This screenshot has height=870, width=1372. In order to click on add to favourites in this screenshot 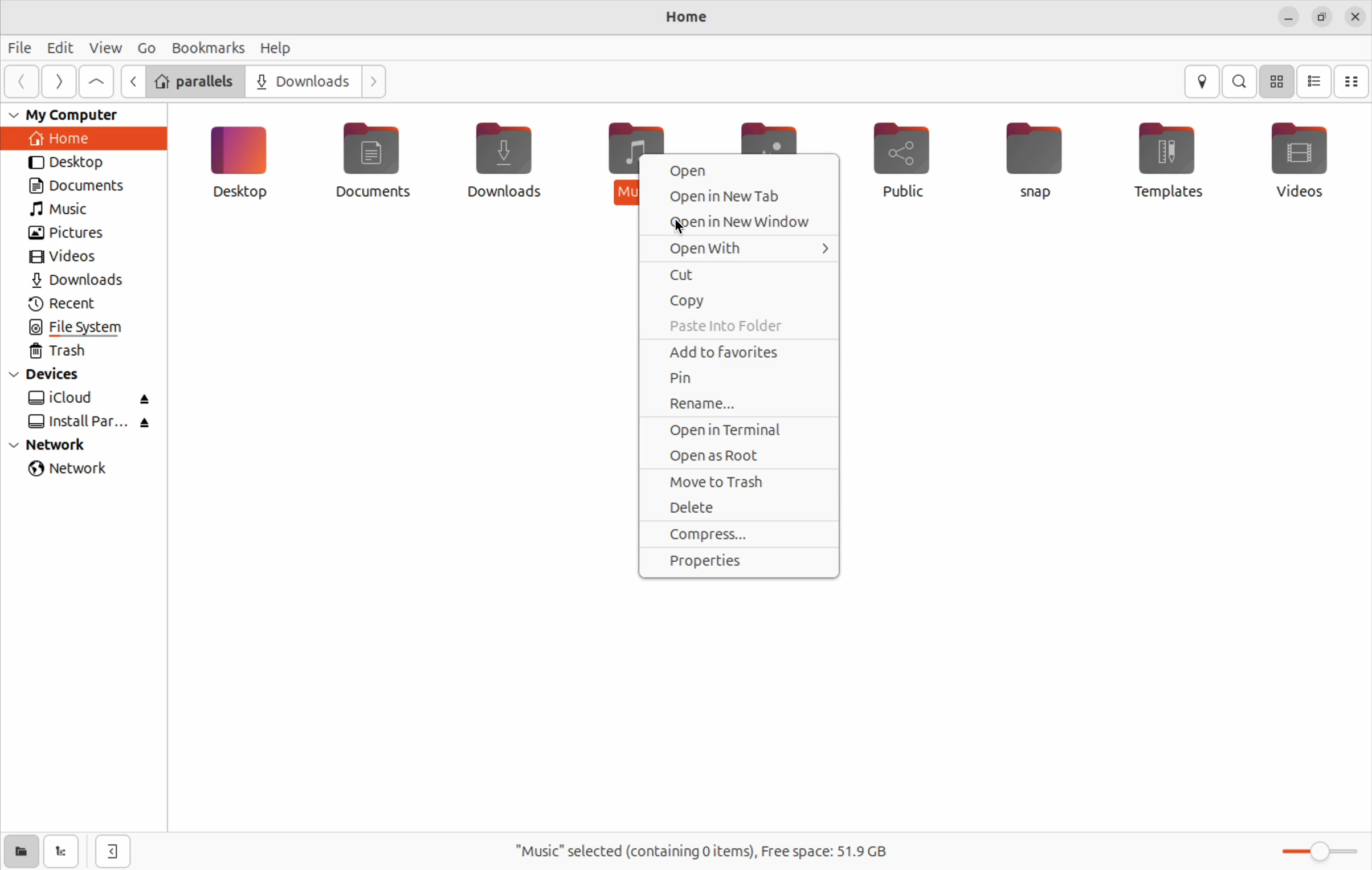, I will do `click(735, 352)`.